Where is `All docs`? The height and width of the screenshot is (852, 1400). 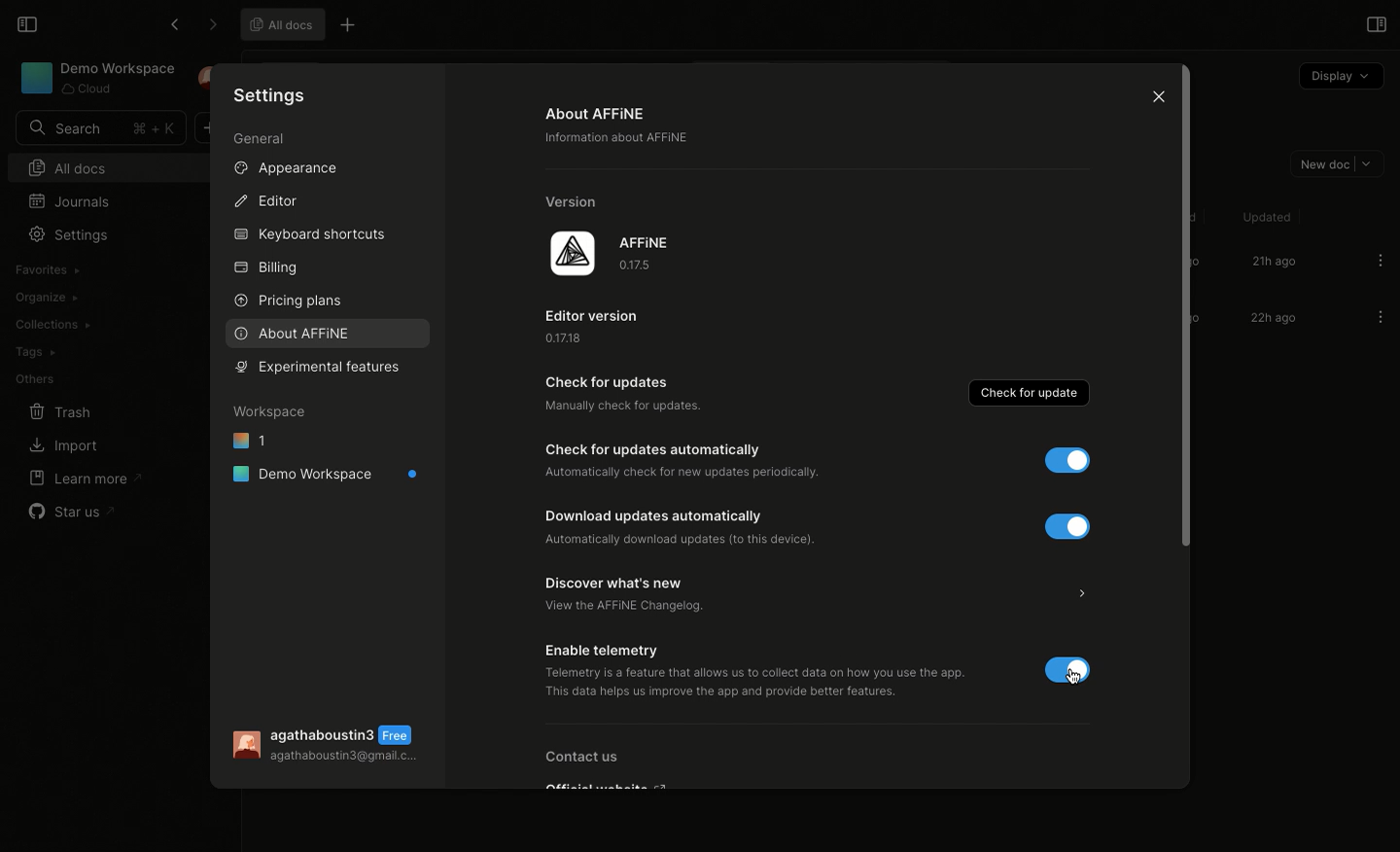
All docs is located at coordinates (279, 23).